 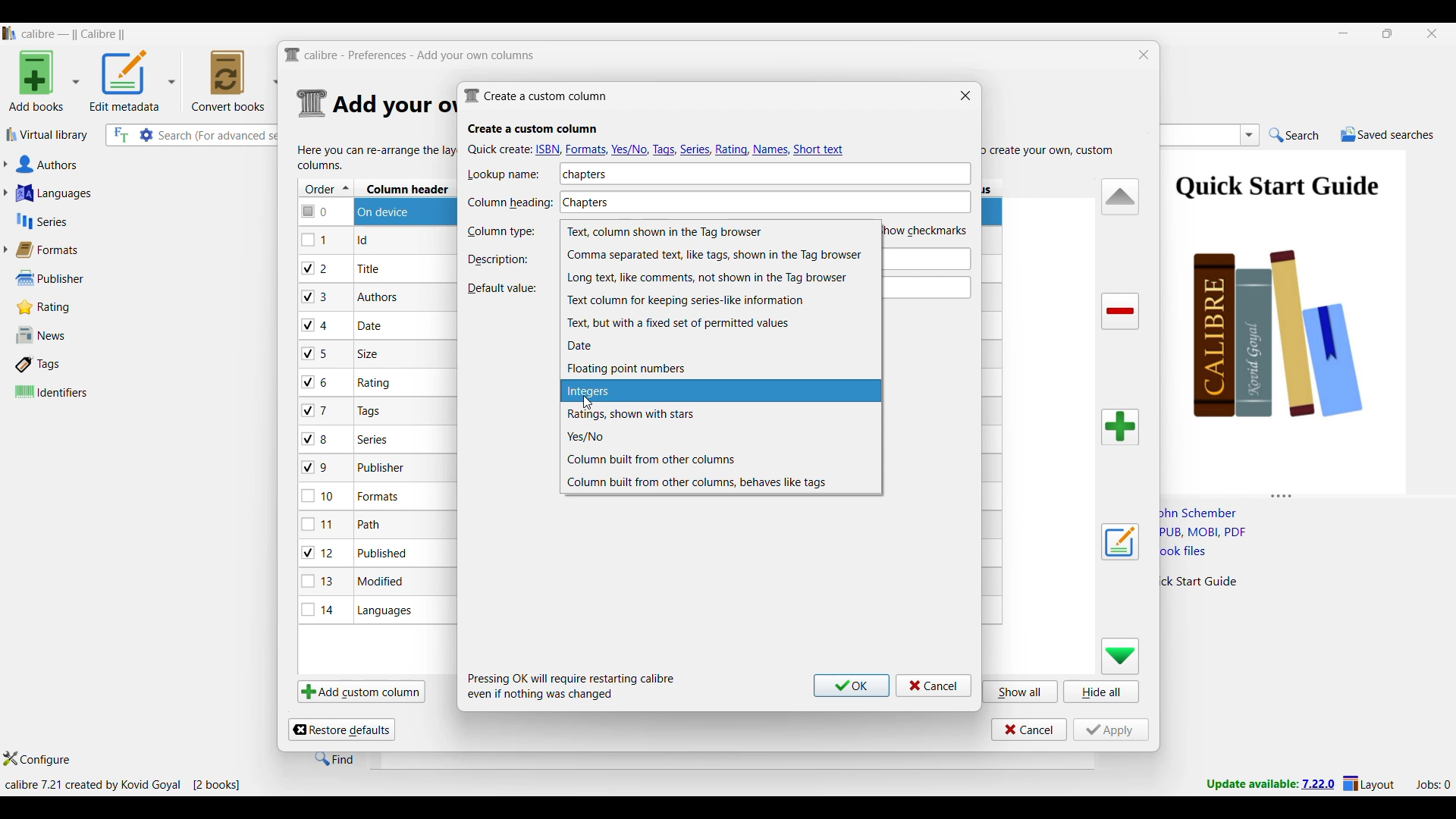 What do you see at coordinates (720, 346) in the screenshot?
I see `Date` at bounding box center [720, 346].